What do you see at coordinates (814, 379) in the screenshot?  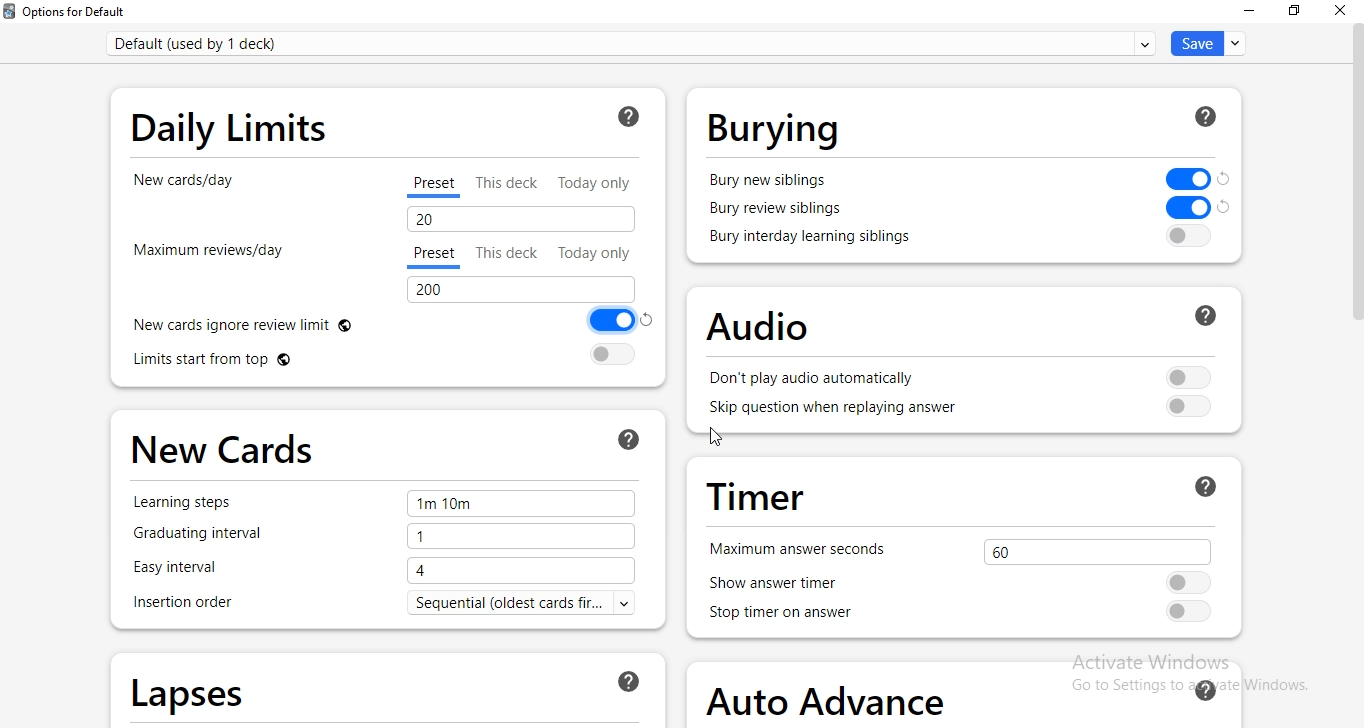 I see `don't play audio automatically` at bounding box center [814, 379].